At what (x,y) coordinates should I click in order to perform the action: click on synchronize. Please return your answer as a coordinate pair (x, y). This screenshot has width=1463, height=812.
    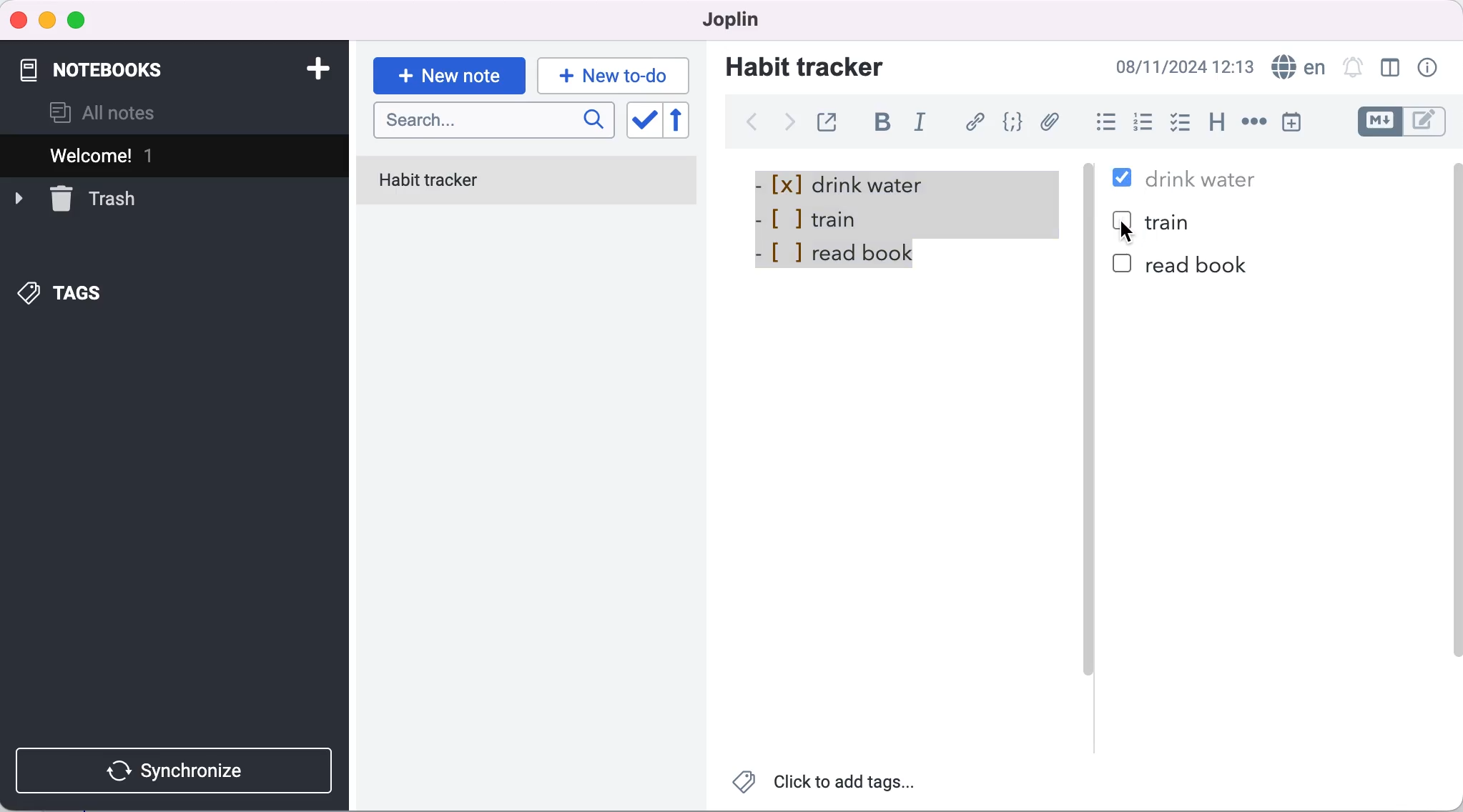
    Looking at the image, I should click on (177, 771).